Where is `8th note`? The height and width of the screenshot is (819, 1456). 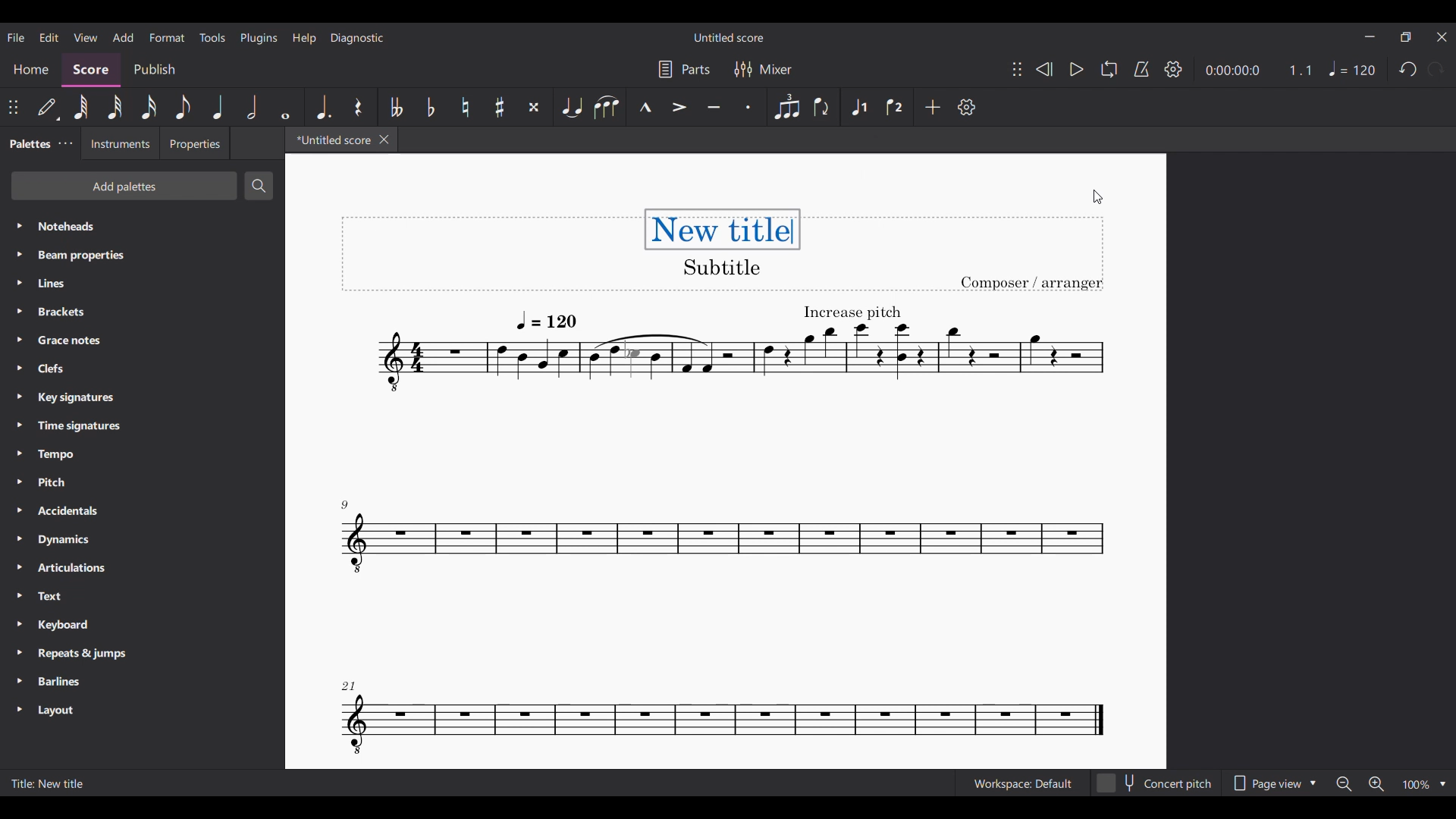 8th note is located at coordinates (182, 107).